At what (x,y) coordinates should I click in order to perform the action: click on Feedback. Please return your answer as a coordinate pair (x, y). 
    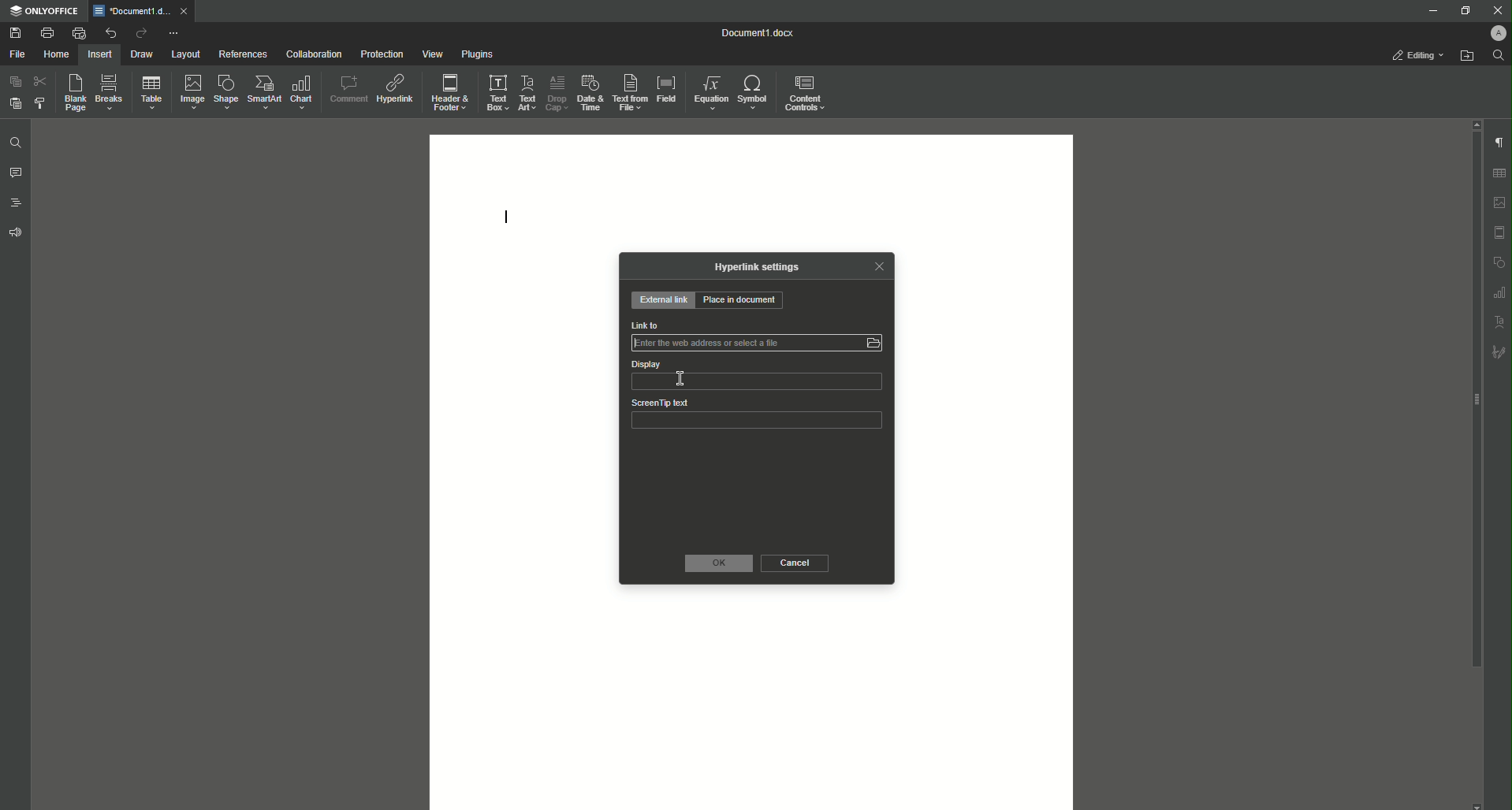
    Looking at the image, I should click on (16, 232).